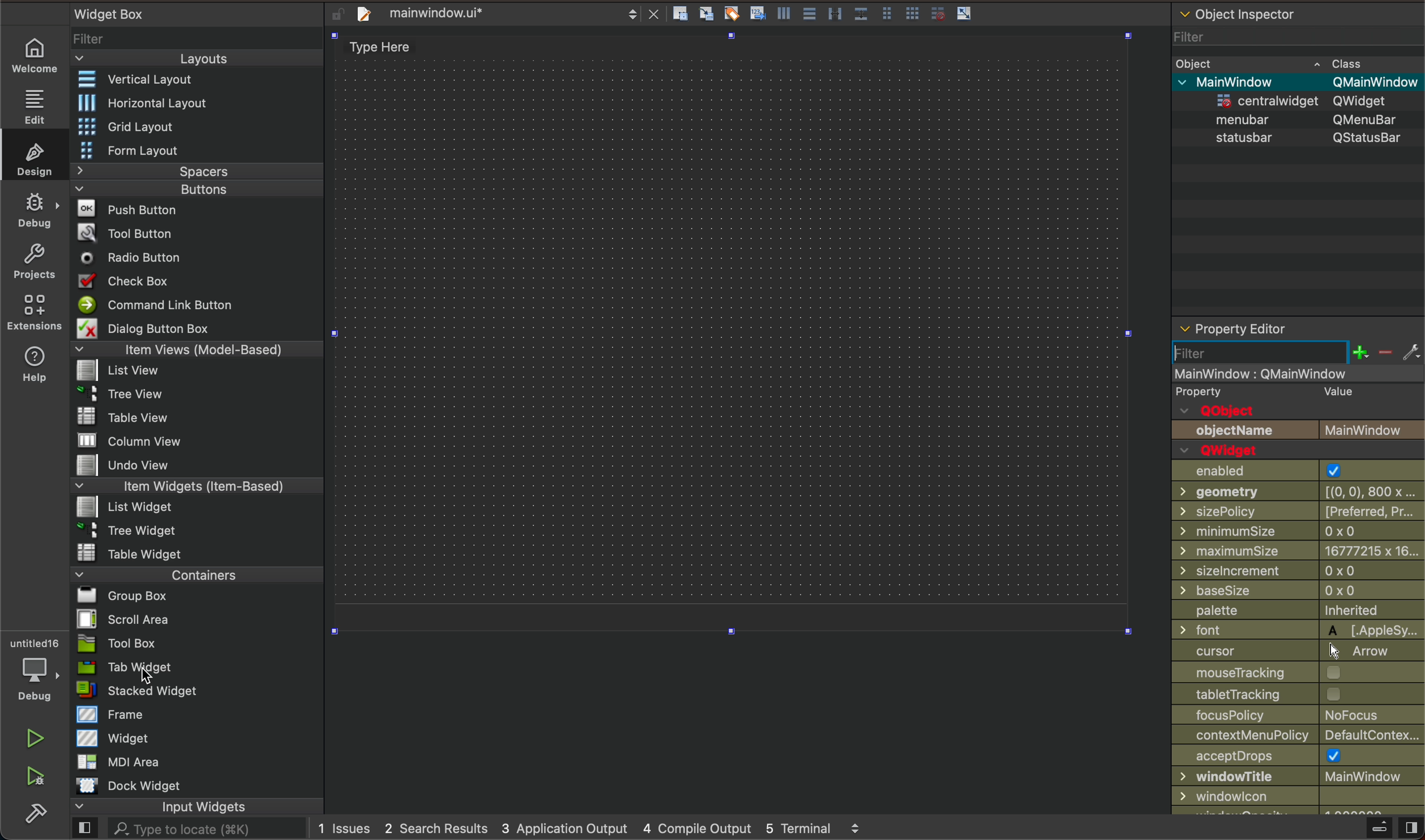 The height and width of the screenshot is (840, 1425). What do you see at coordinates (1298, 16) in the screenshot?
I see `object inspector` at bounding box center [1298, 16].